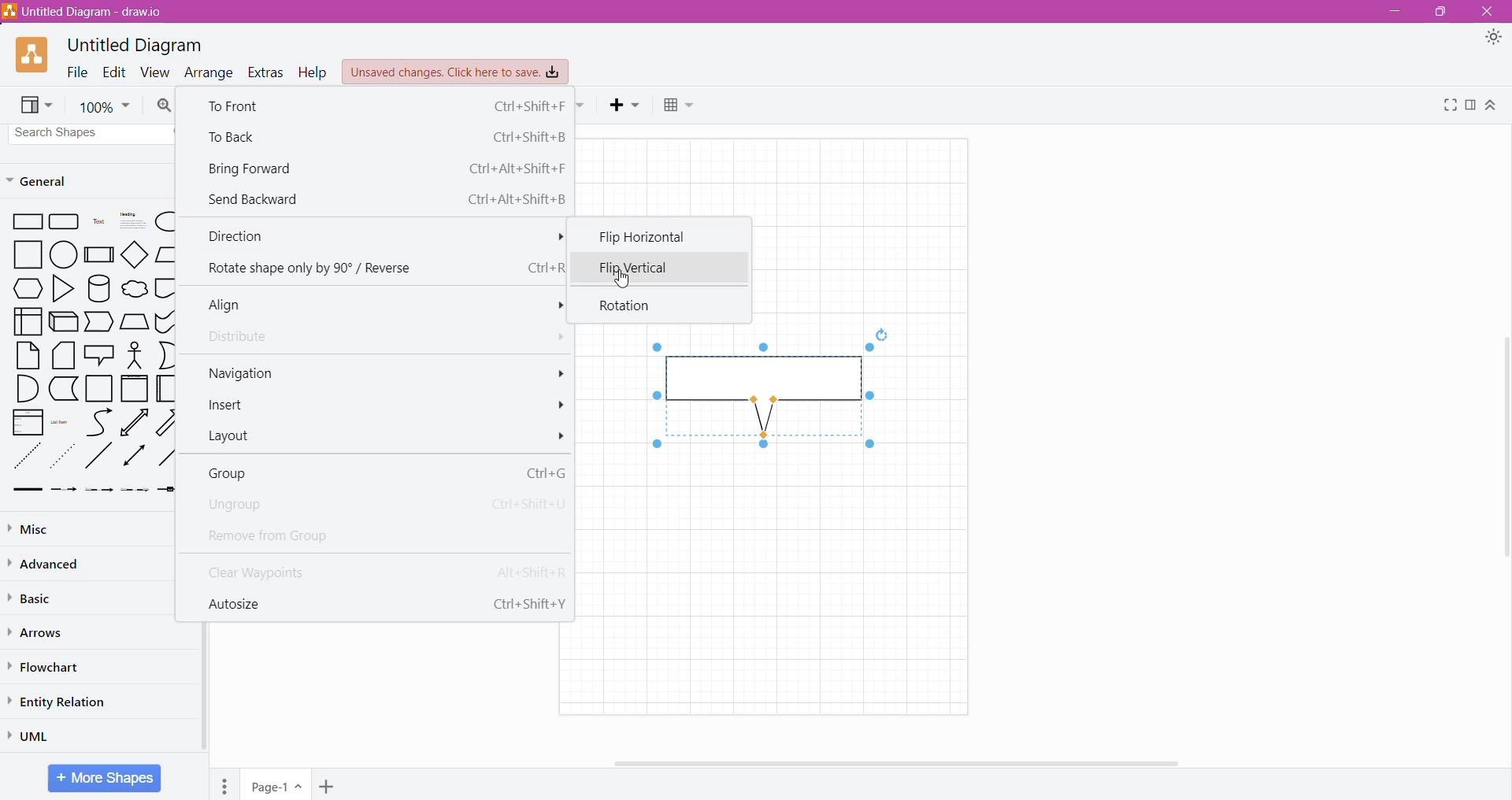 Image resolution: width=1512 pixels, height=800 pixels. What do you see at coordinates (28, 321) in the screenshot?
I see `user interface` at bounding box center [28, 321].